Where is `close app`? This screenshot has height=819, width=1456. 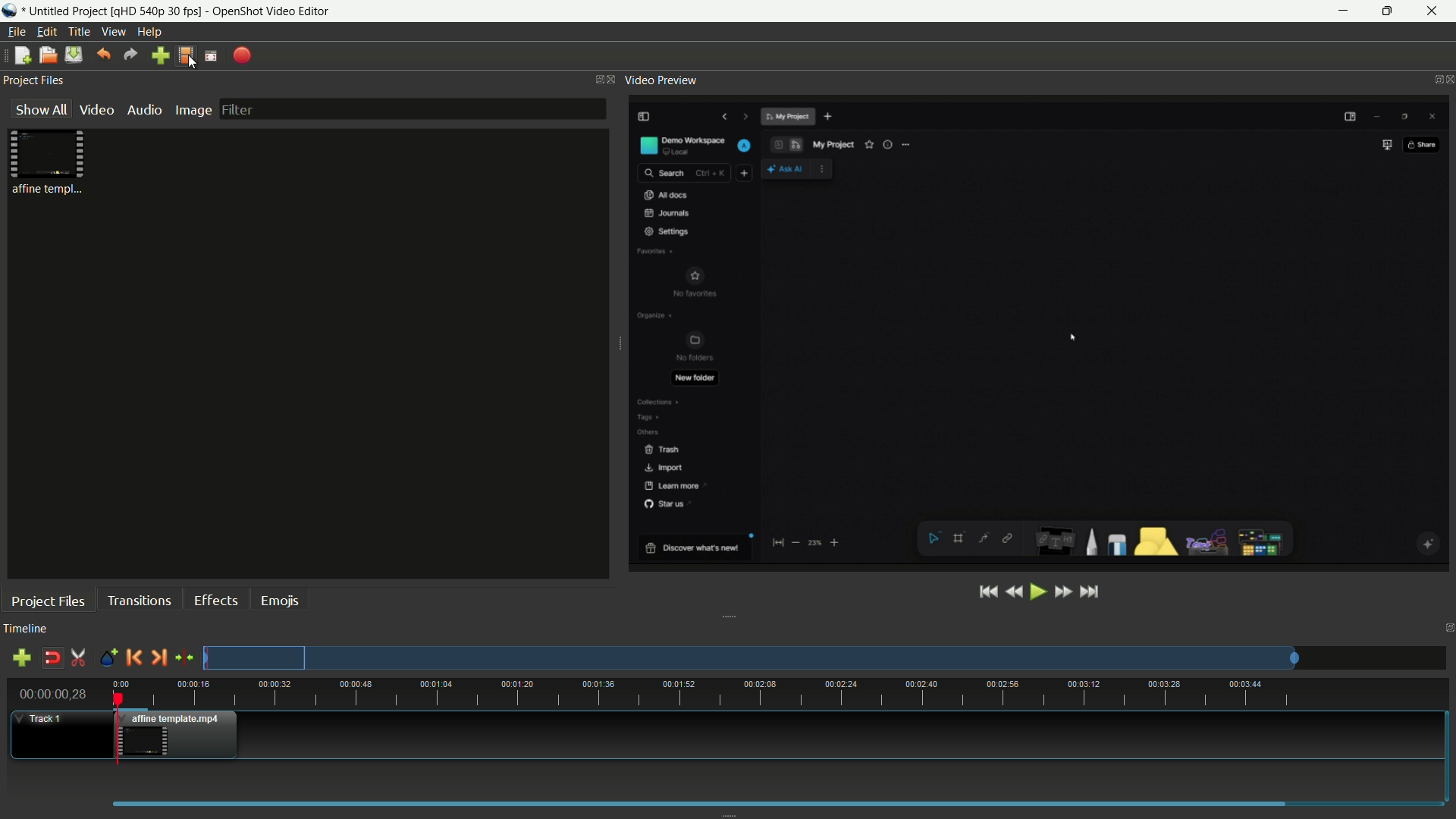
close app is located at coordinates (1438, 11).